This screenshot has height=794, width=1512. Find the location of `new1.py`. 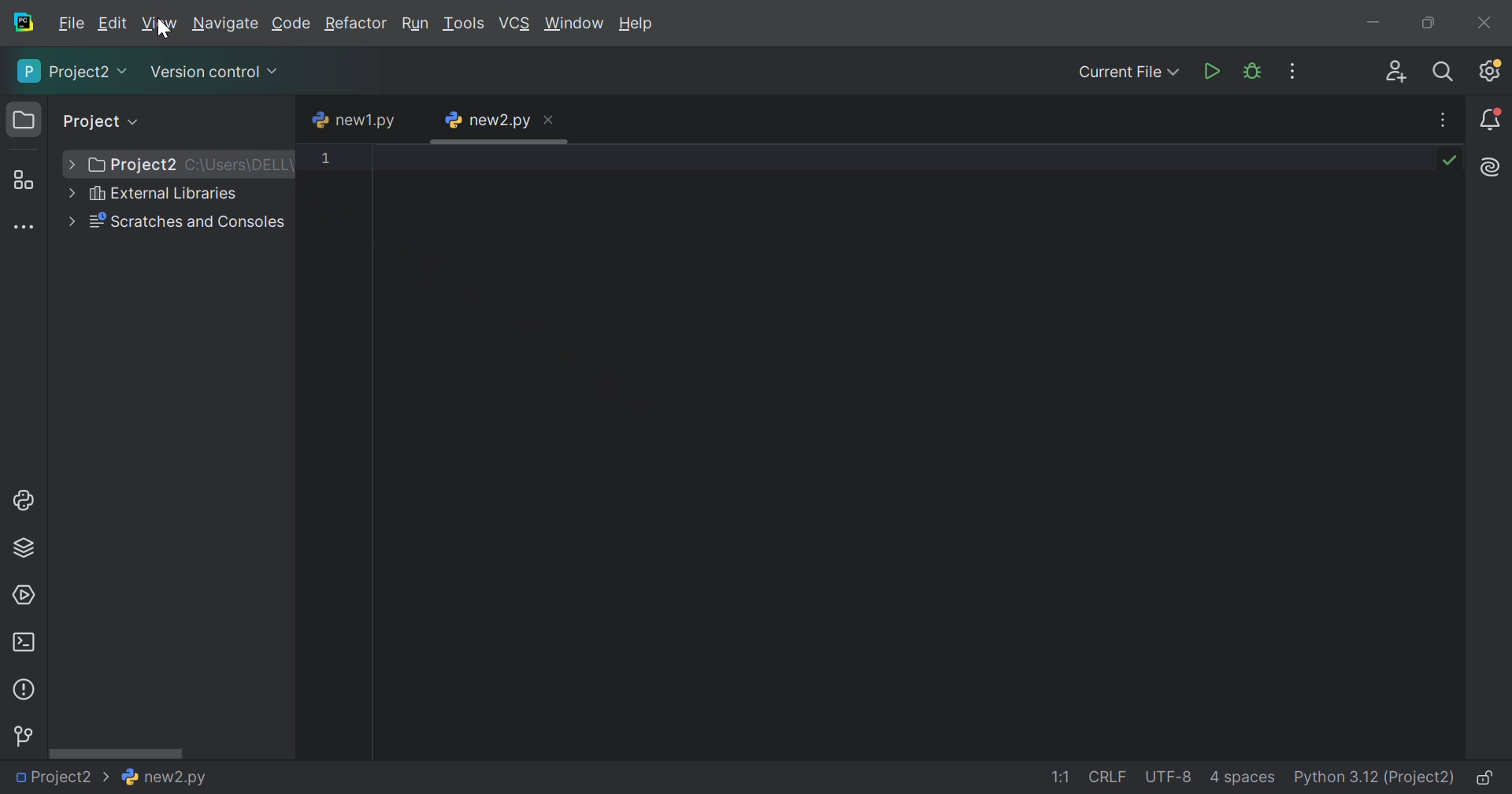

new1.py is located at coordinates (354, 121).